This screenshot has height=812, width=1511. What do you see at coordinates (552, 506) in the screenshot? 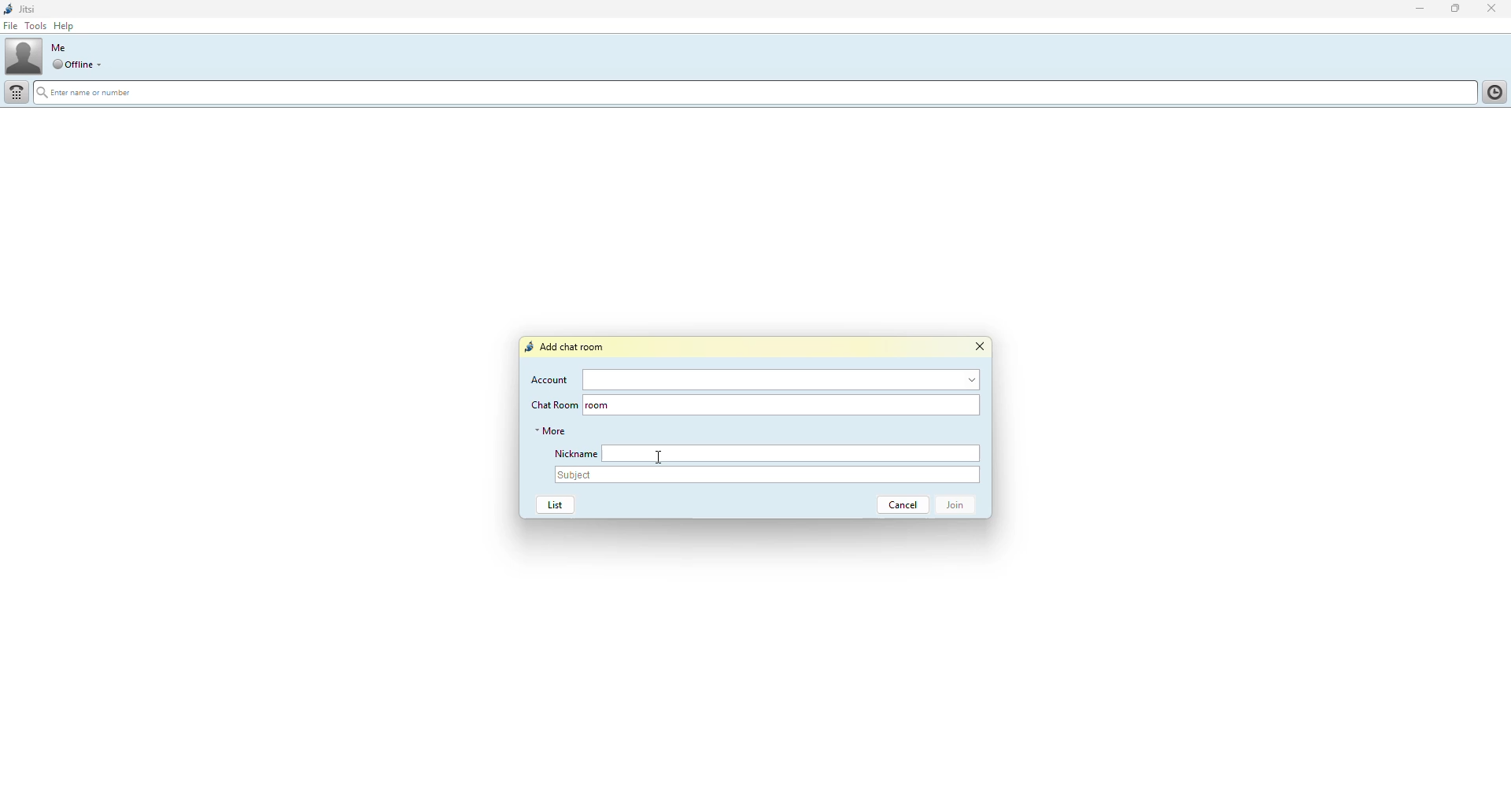
I see `list` at bounding box center [552, 506].